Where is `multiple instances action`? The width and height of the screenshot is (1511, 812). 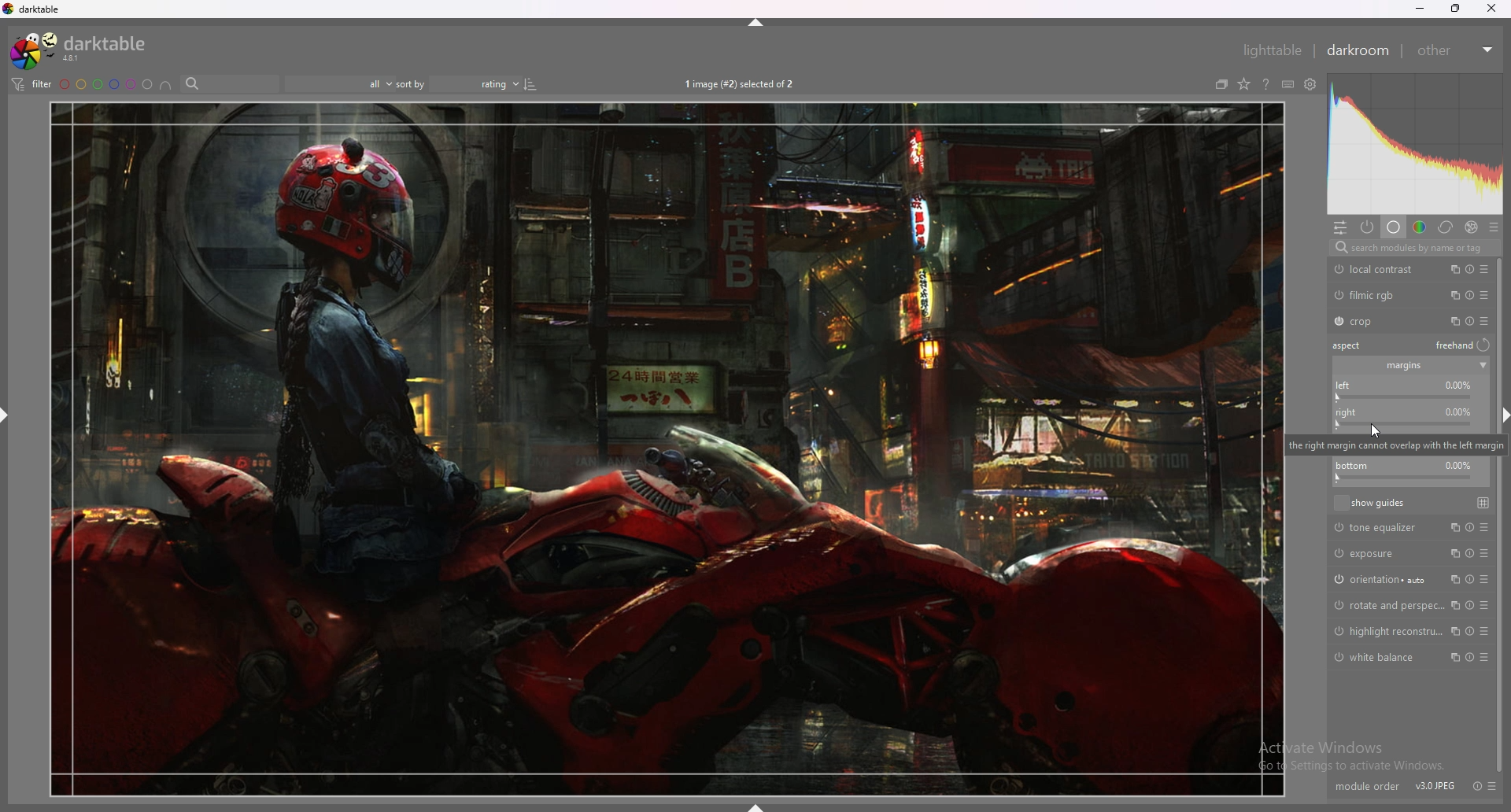
multiple instances action is located at coordinates (1454, 605).